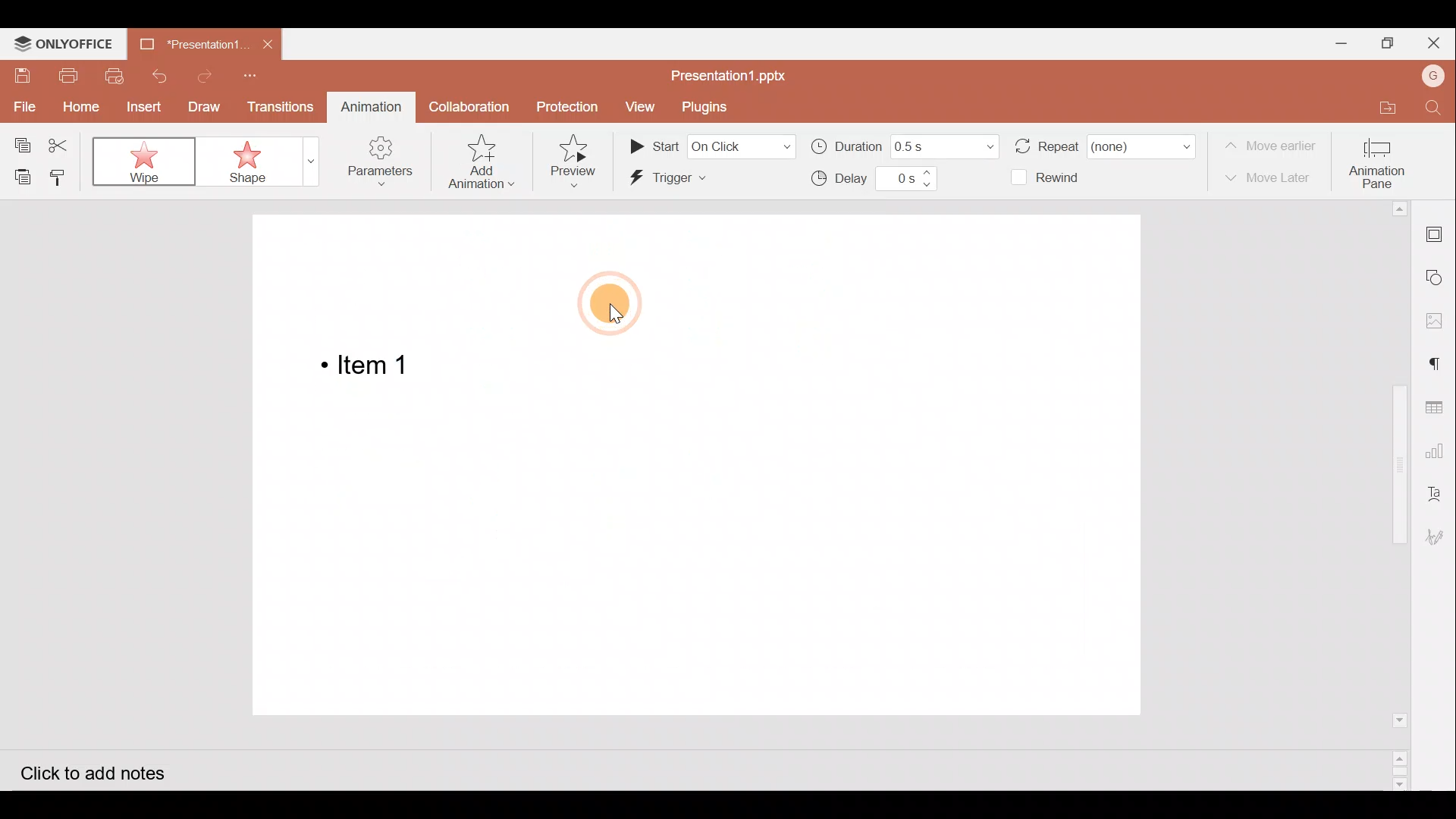 This screenshot has width=1456, height=819. Describe the element at coordinates (372, 365) in the screenshot. I see `Bulleted Item 1 on the presentation slide` at that location.